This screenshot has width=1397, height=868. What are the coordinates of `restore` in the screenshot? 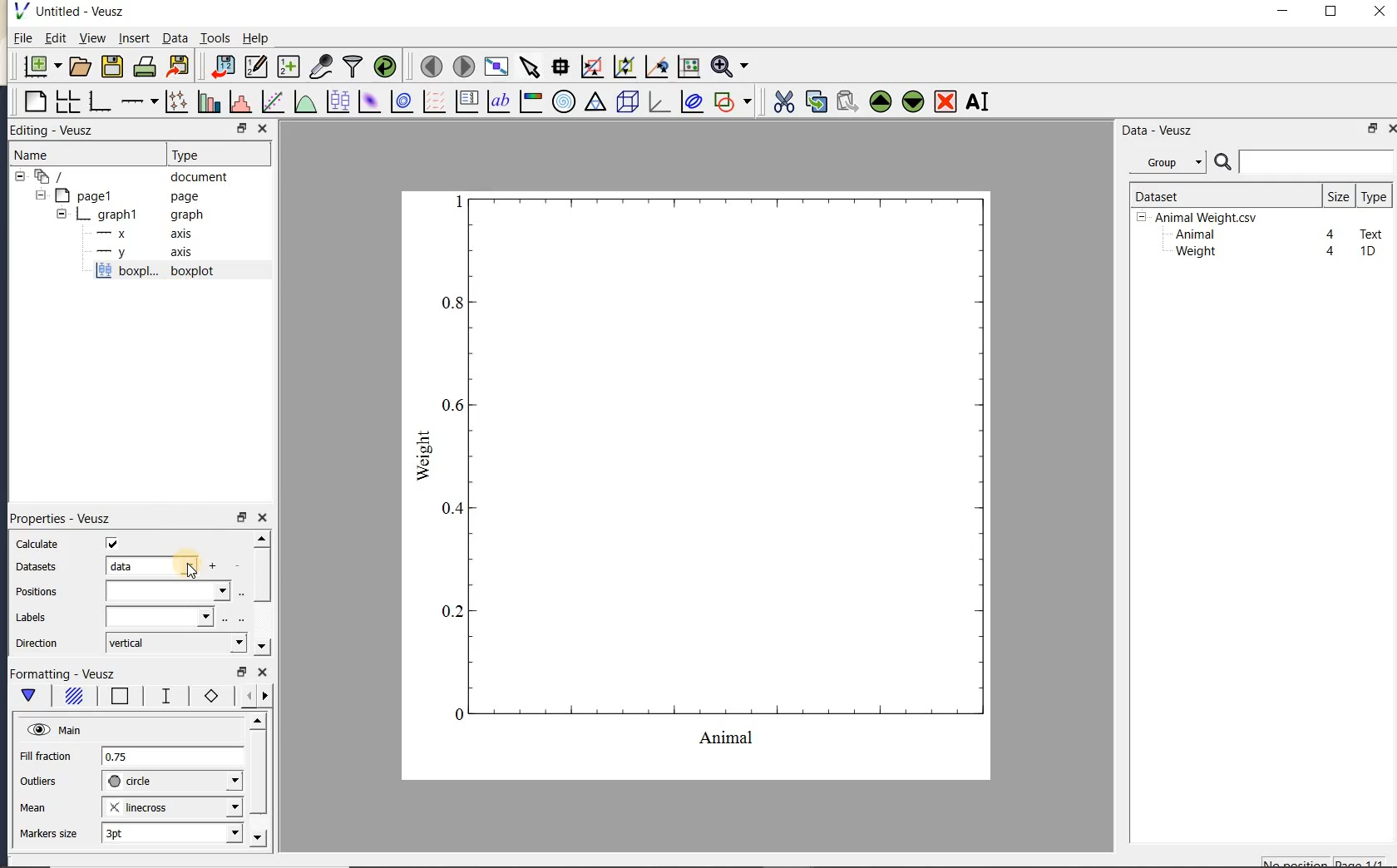 It's located at (1374, 128).